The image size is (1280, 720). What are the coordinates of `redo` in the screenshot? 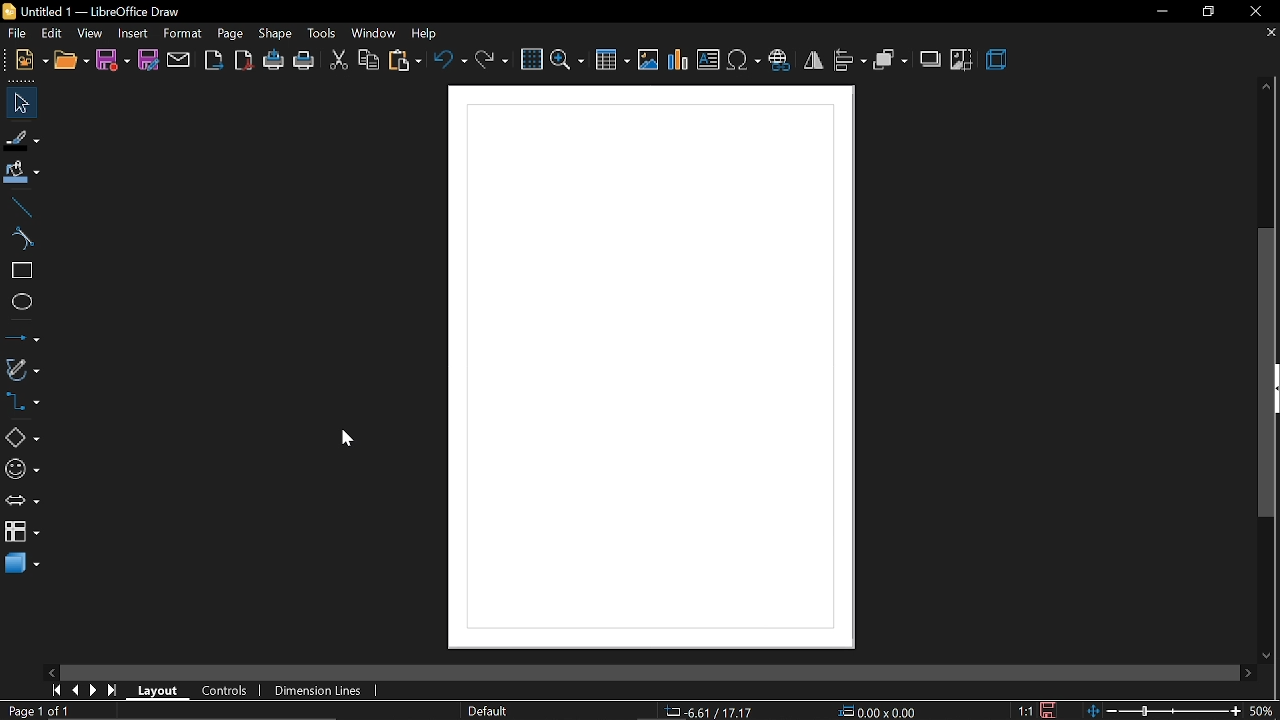 It's located at (494, 62).